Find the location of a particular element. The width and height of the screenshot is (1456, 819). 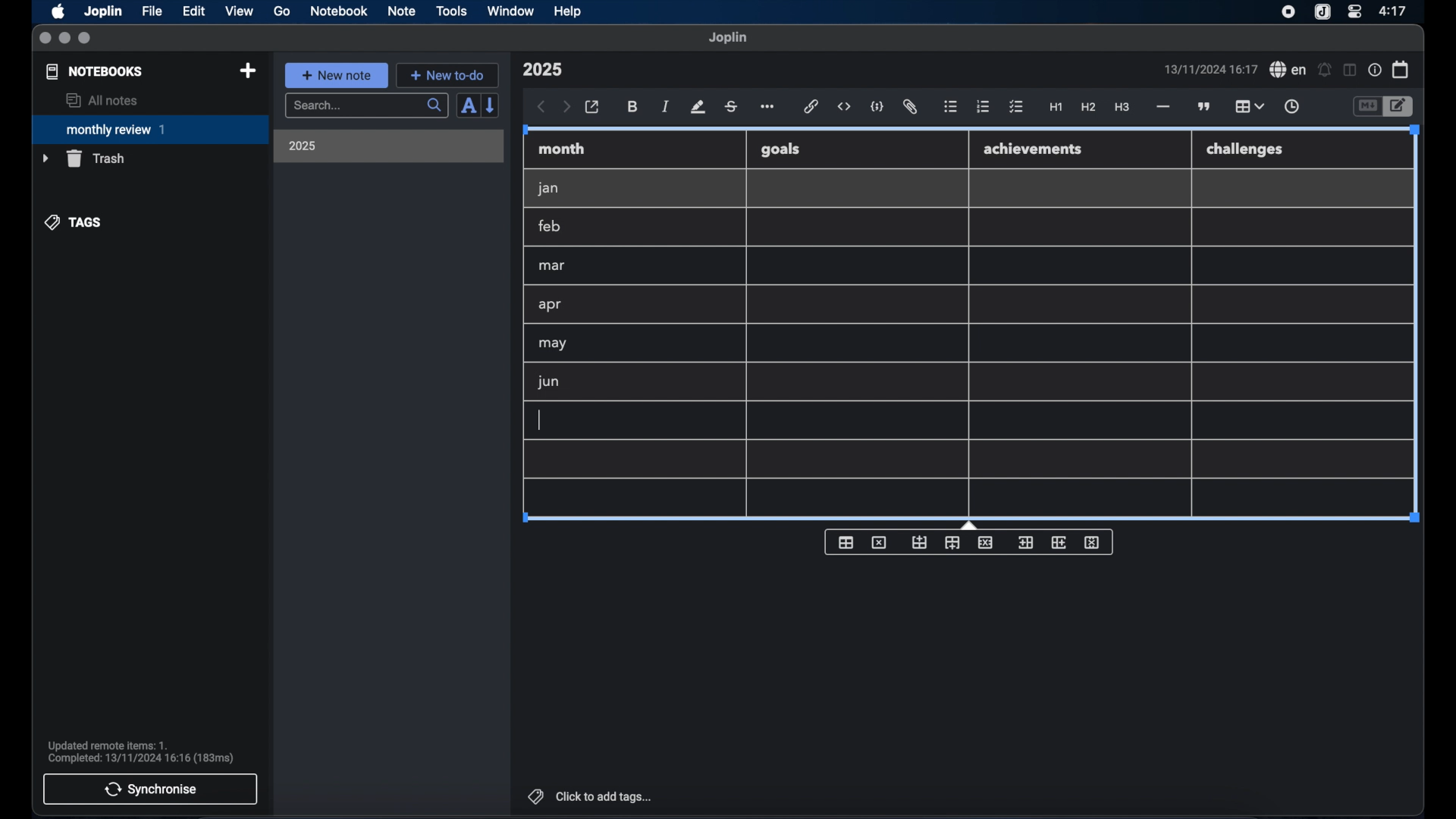

sync notification is located at coordinates (141, 752).